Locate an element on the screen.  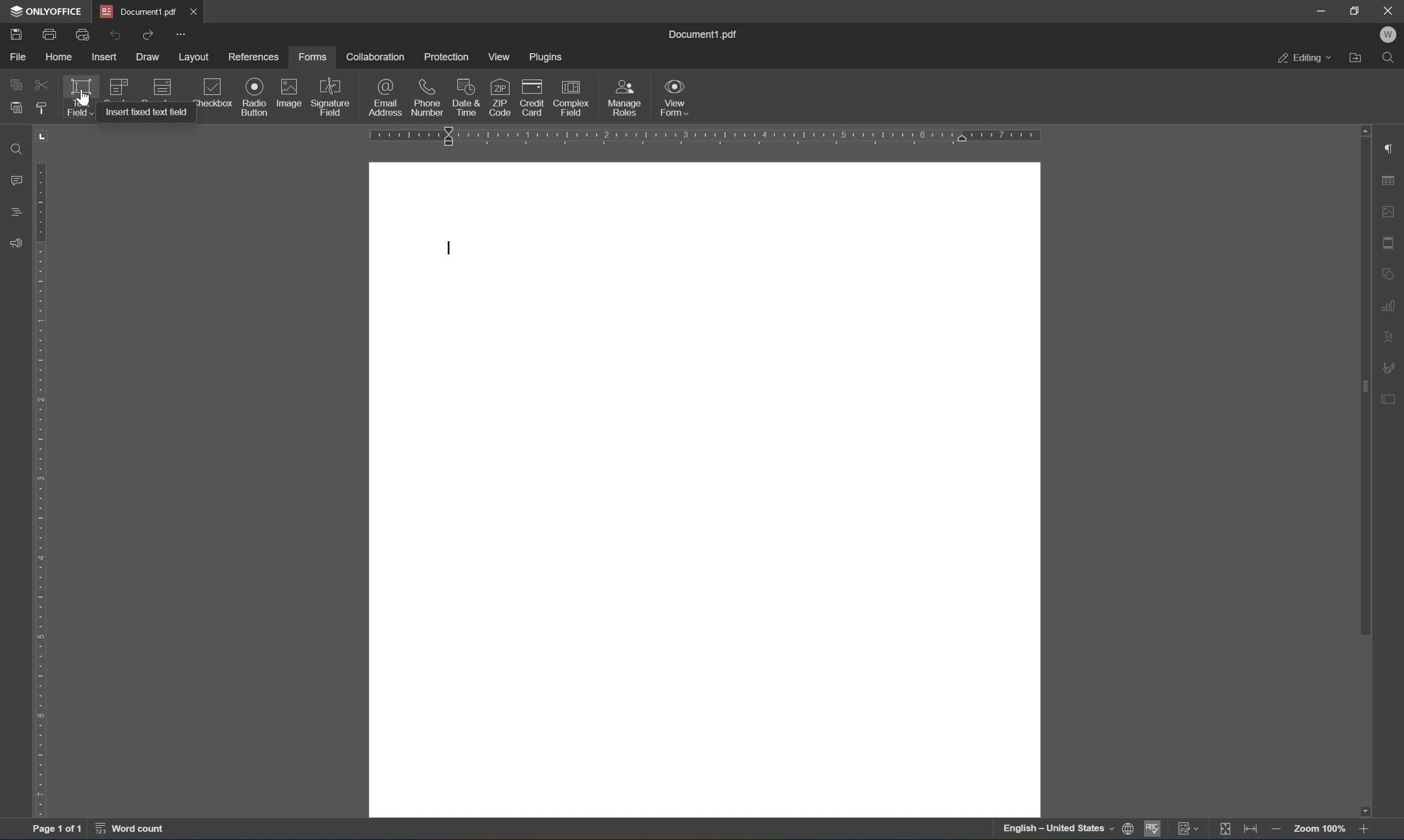
quick print is located at coordinates (83, 35).